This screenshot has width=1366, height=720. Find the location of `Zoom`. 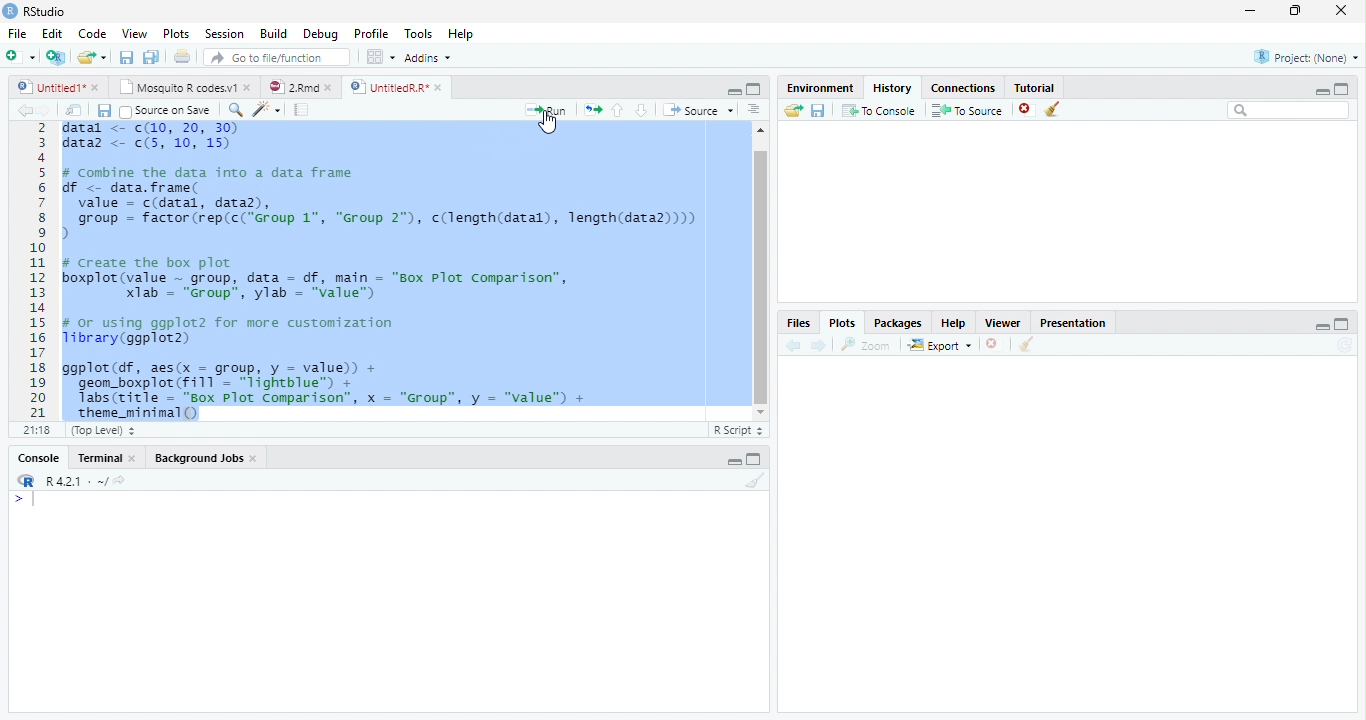

Zoom is located at coordinates (866, 345).